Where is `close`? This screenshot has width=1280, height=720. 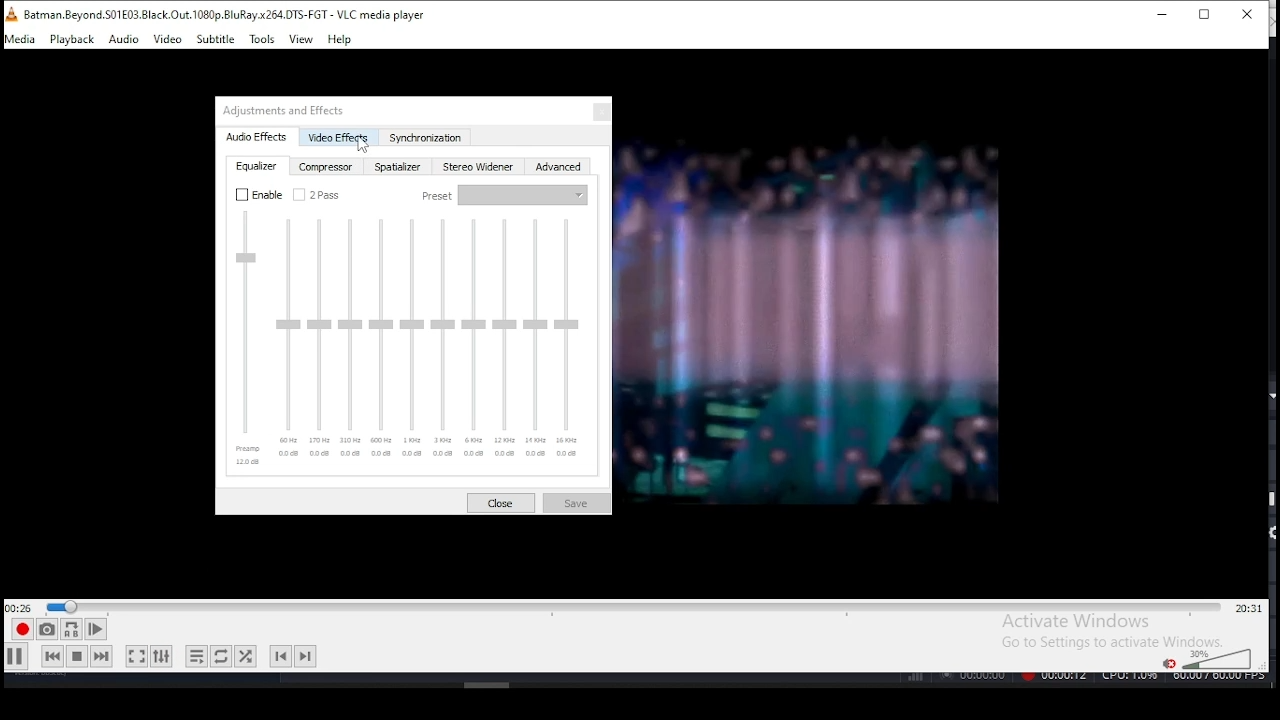 close is located at coordinates (502, 503).